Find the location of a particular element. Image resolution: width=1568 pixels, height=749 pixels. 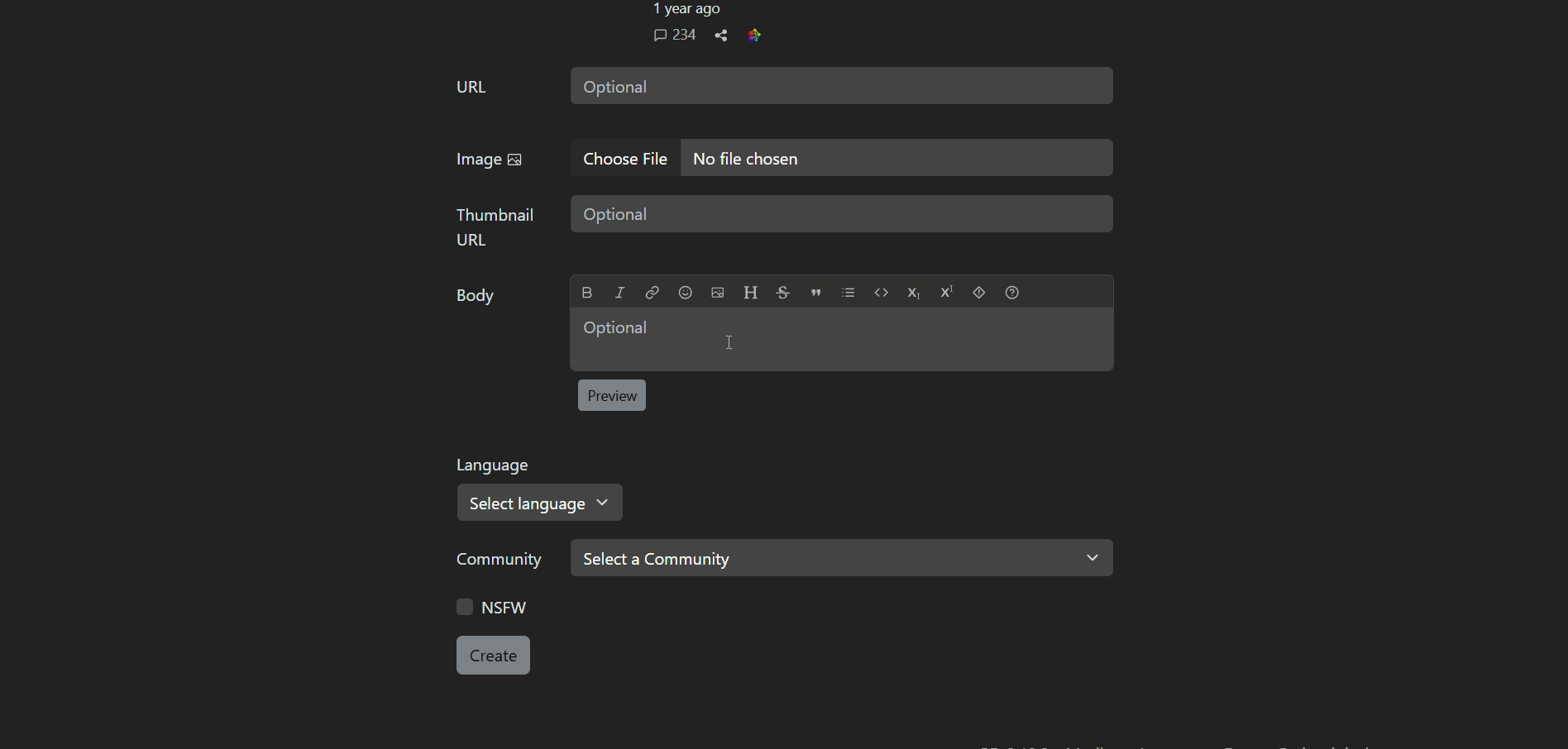

Share is located at coordinates (721, 36).